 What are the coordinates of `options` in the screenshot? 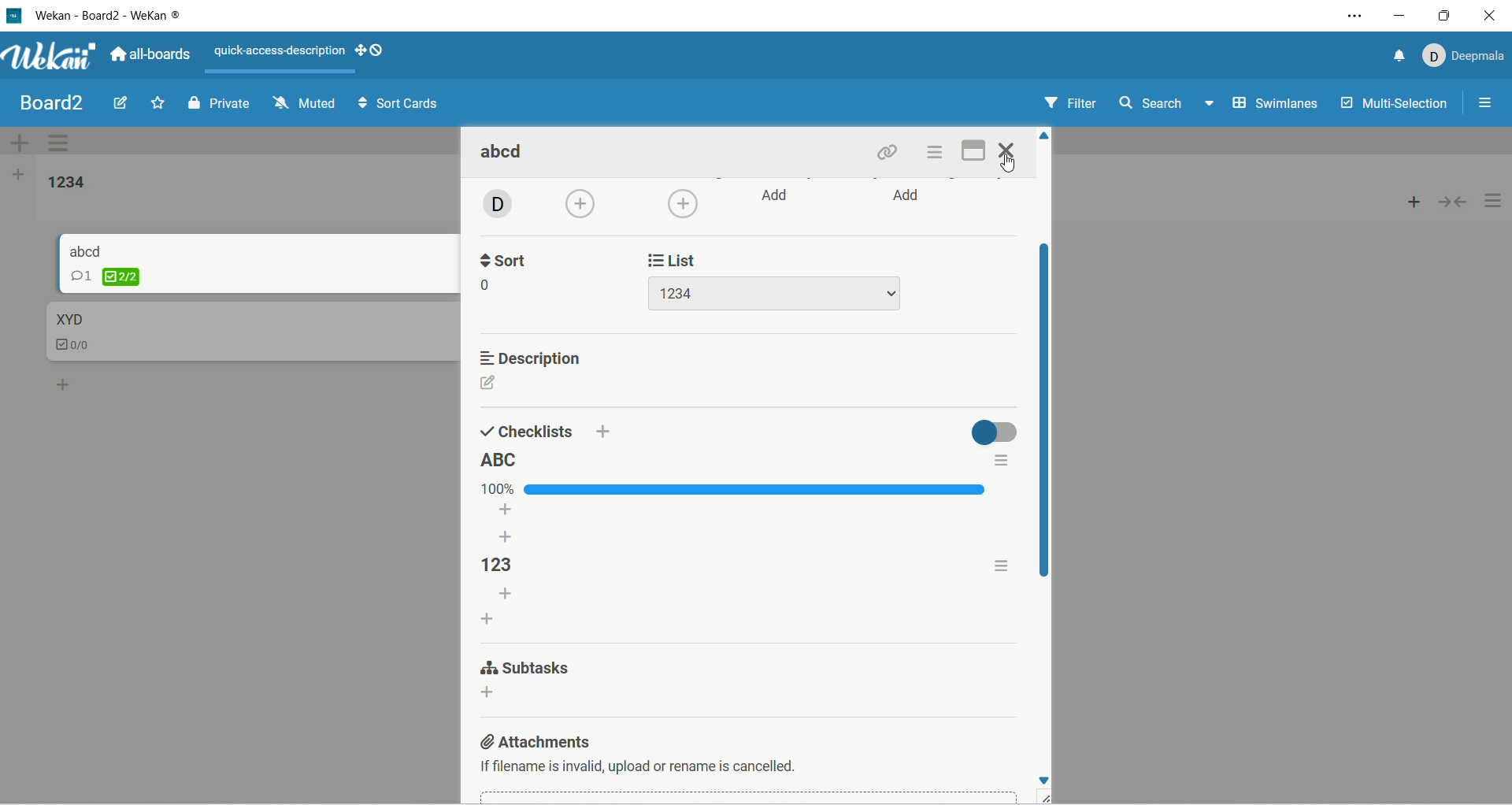 It's located at (1495, 202).